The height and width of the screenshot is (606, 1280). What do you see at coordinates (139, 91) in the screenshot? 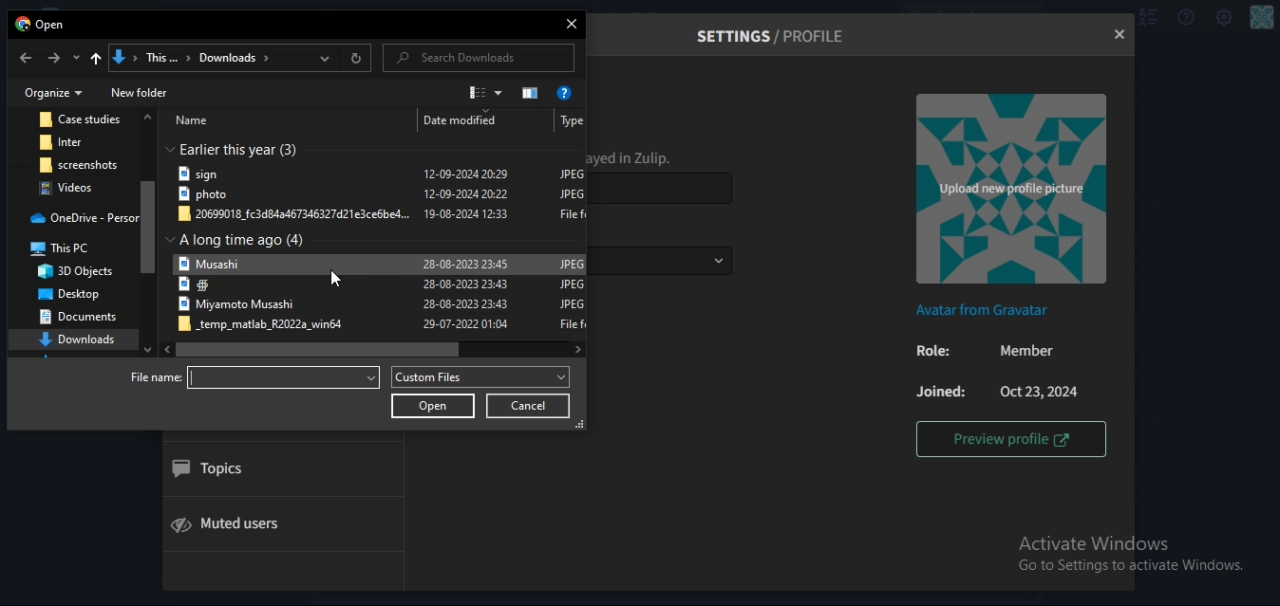
I see `new folder` at bounding box center [139, 91].